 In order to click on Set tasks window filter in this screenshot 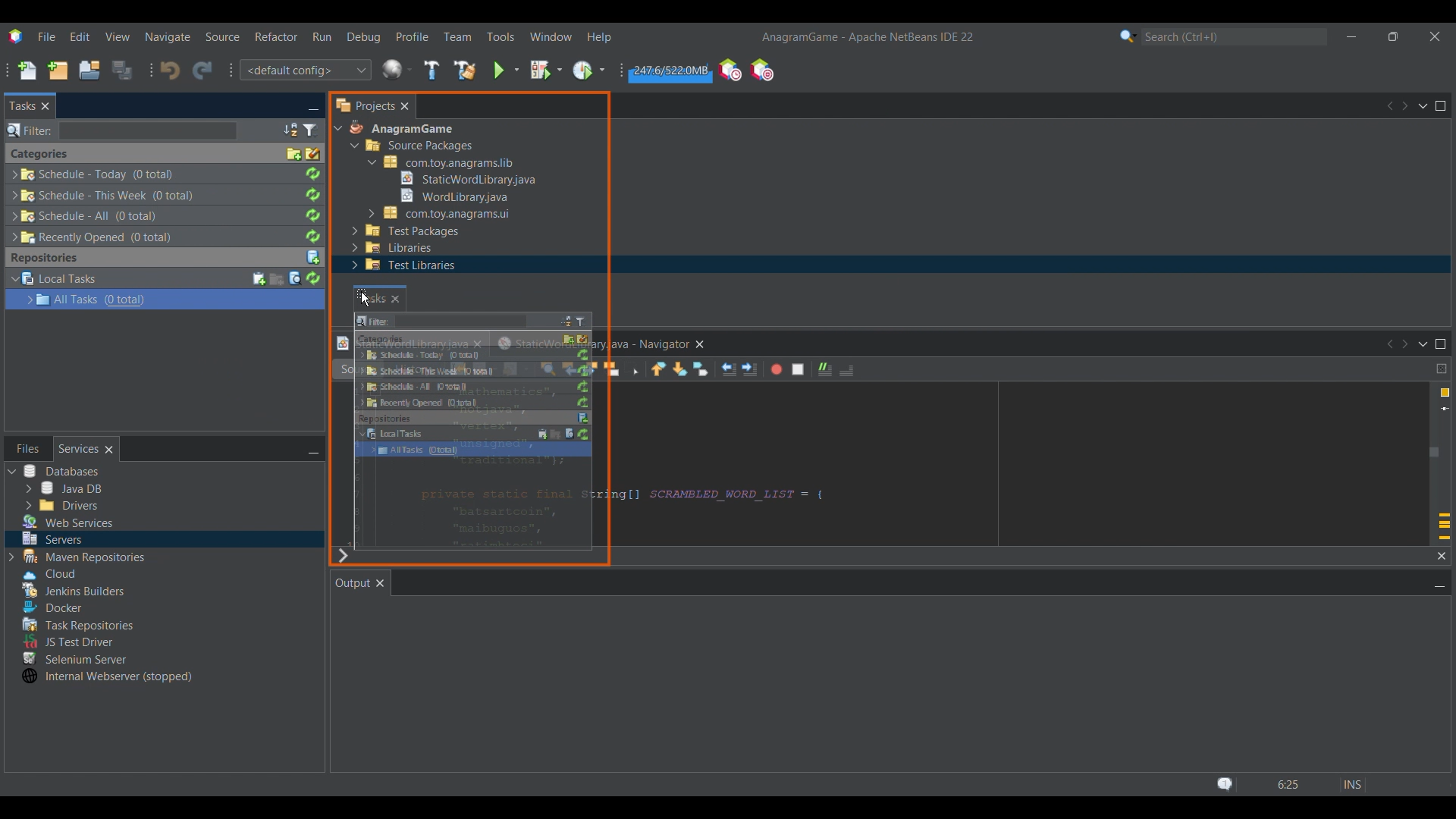, I will do `click(311, 130)`.